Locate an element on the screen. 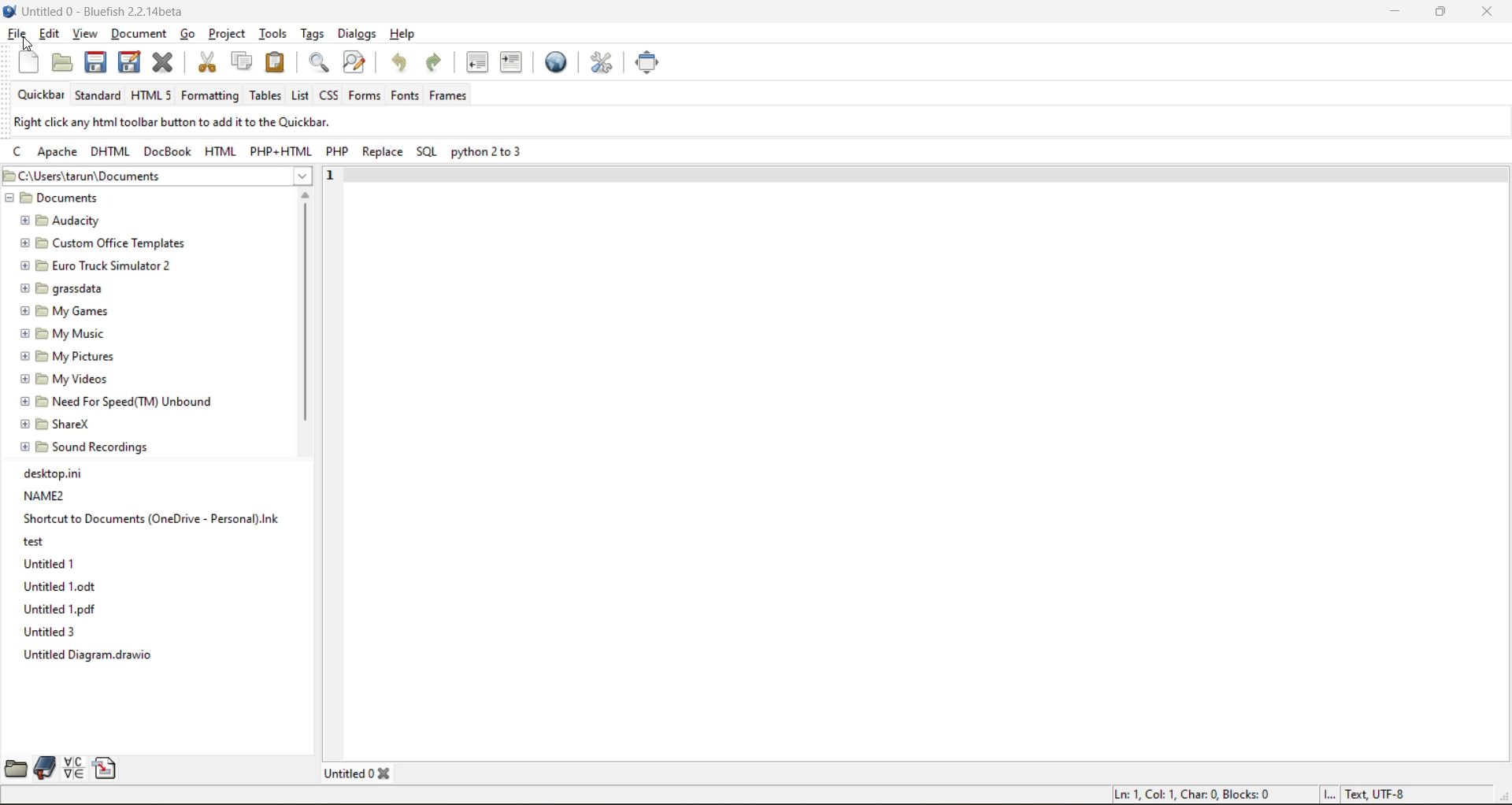  tags is located at coordinates (315, 35).